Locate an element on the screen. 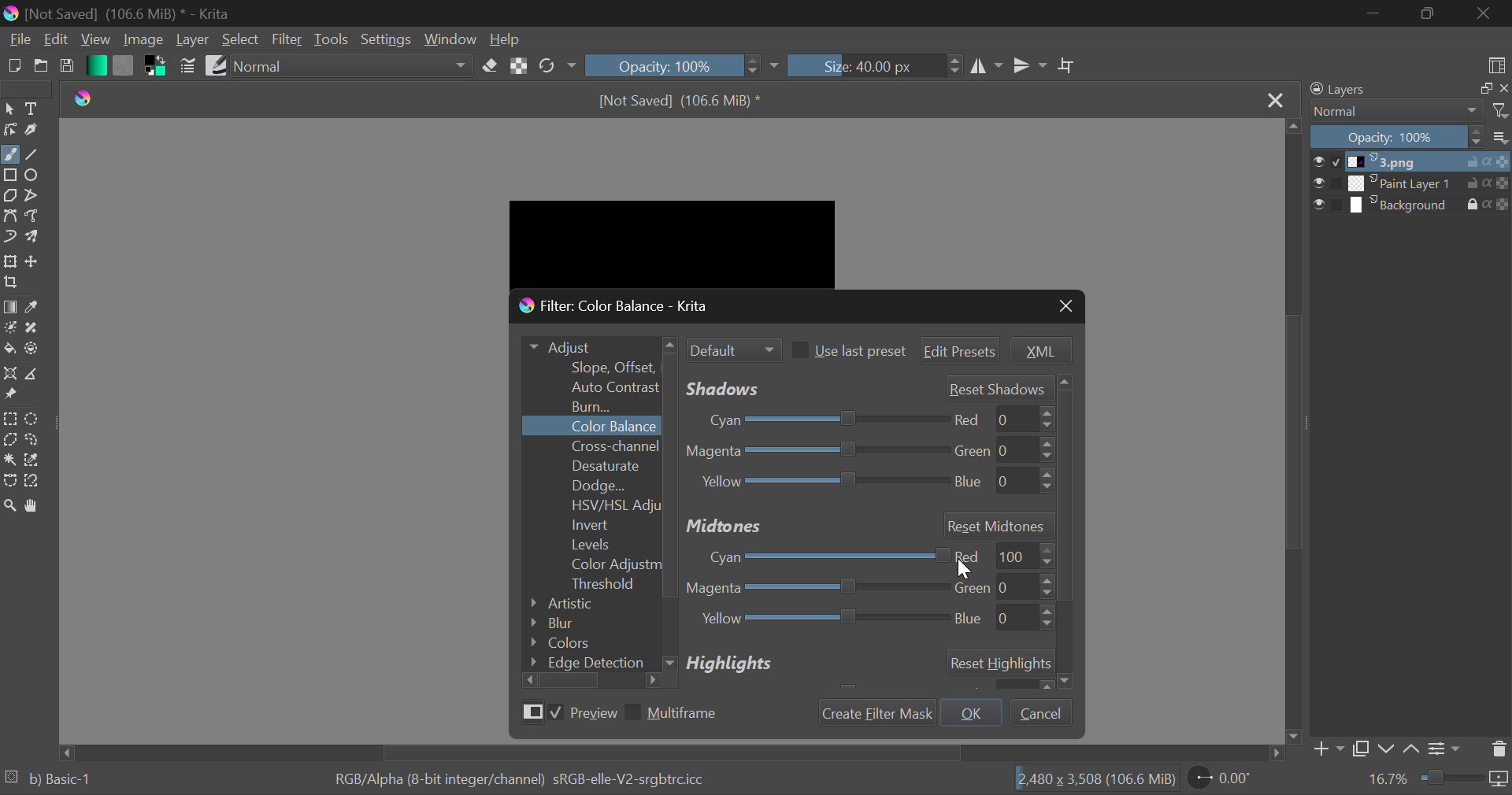 The height and width of the screenshot is (795, 1512). Filter is located at coordinates (287, 40).